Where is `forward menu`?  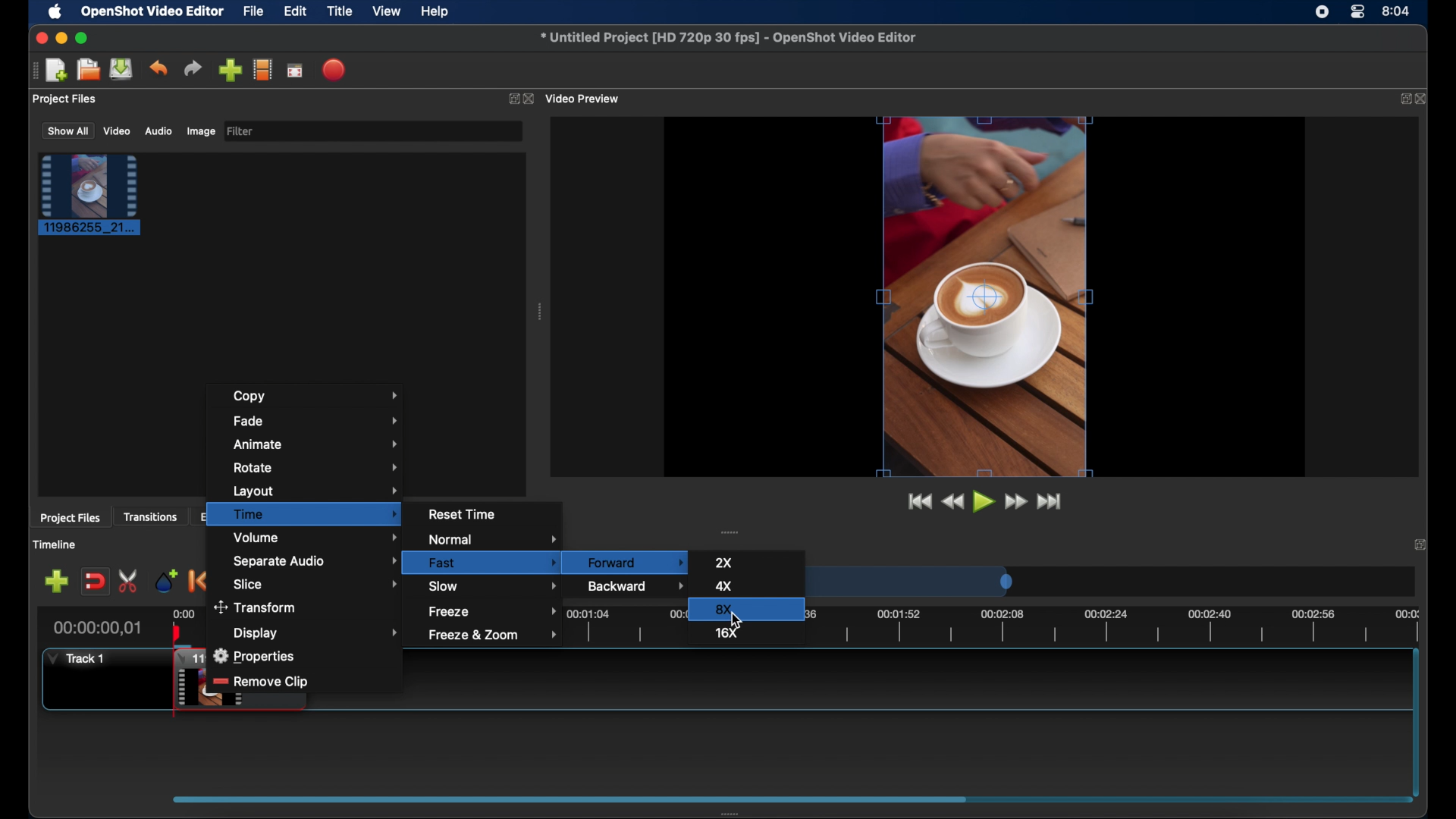 forward menu is located at coordinates (630, 560).